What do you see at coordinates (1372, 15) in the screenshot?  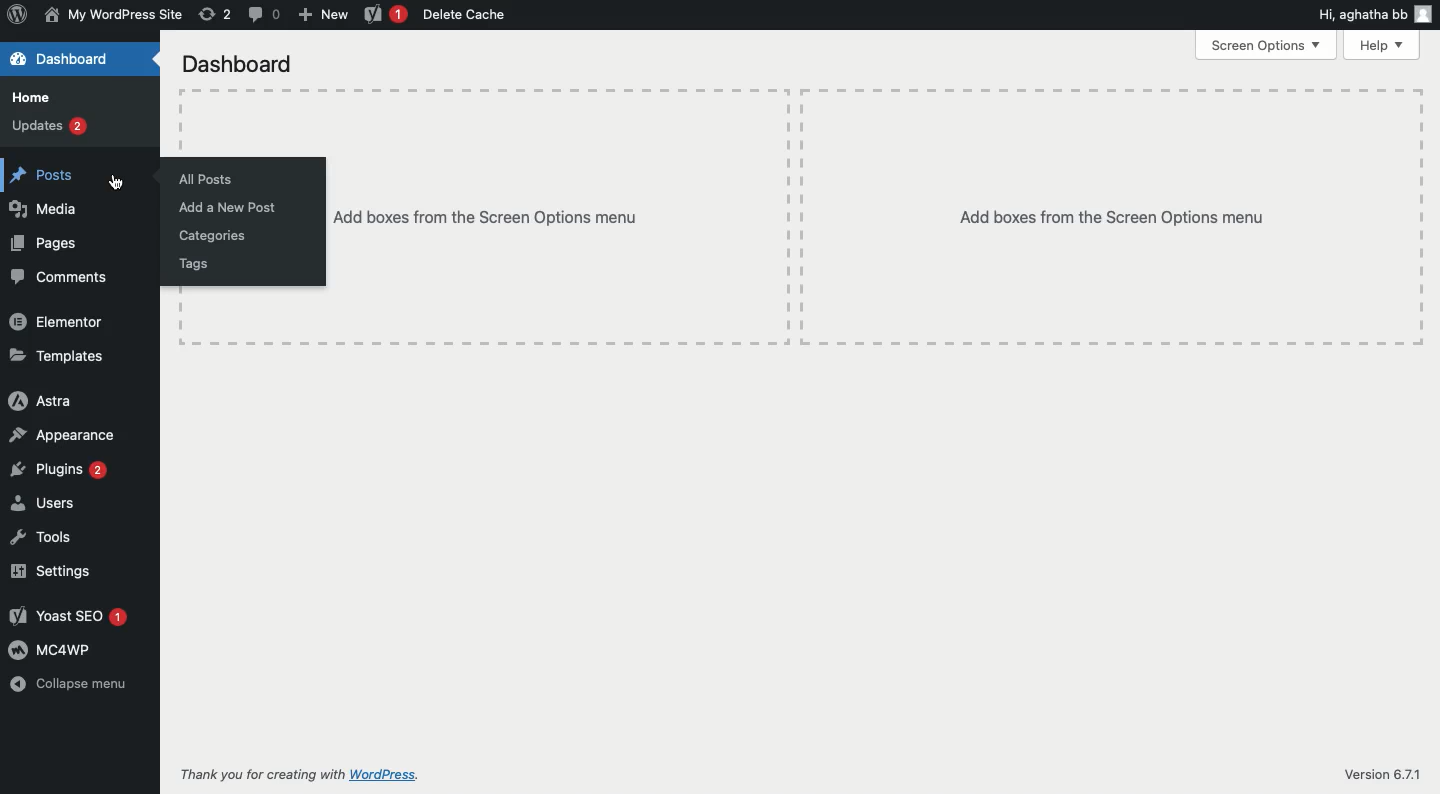 I see `Hi user` at bounding box center [1372, 15].